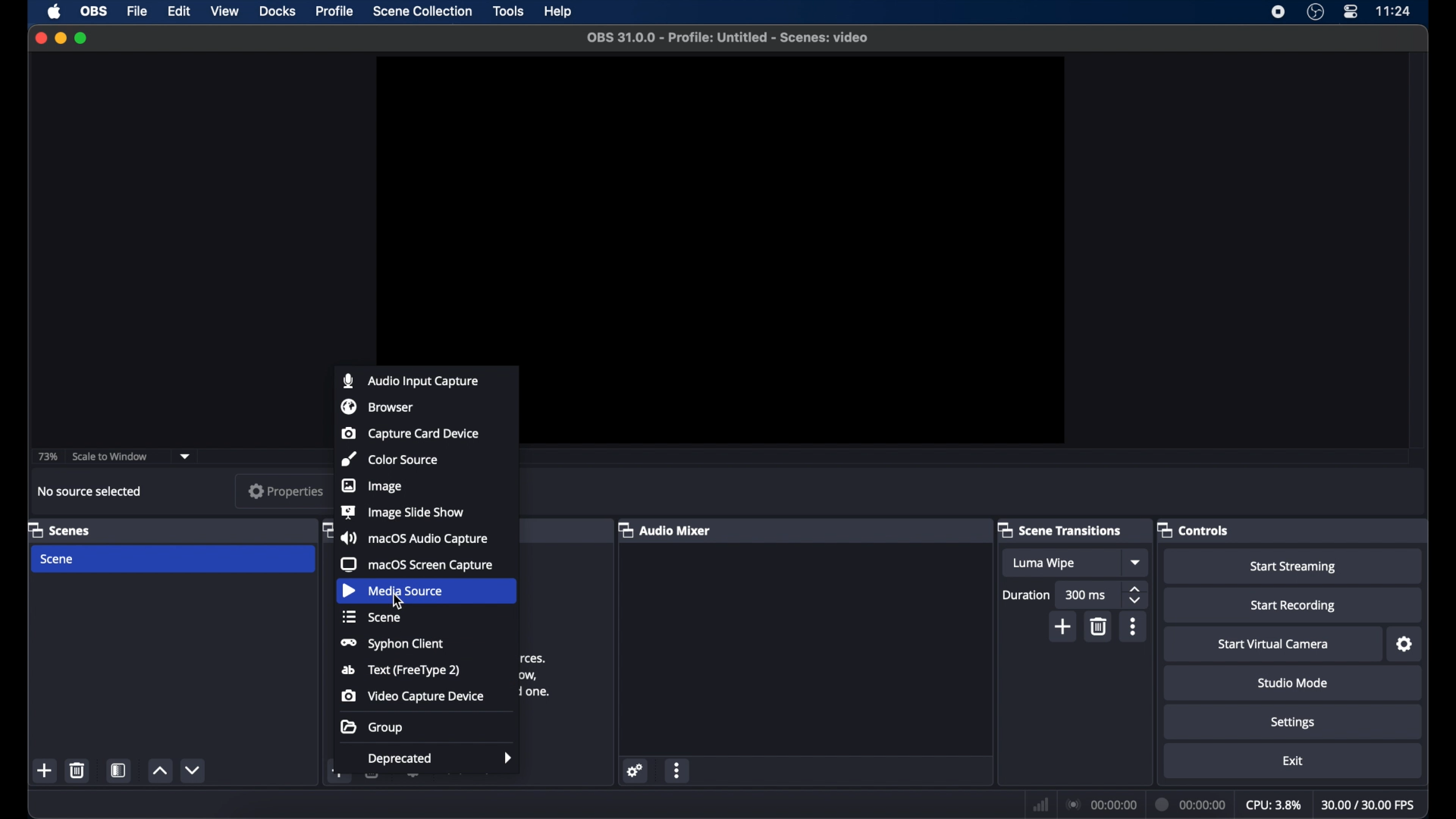 The height and width of the screenshot is (819, 1456). What do you see at coordinates (410, 695) in the screenshot?
I see `video capture device` at bounding box center [410, 695].